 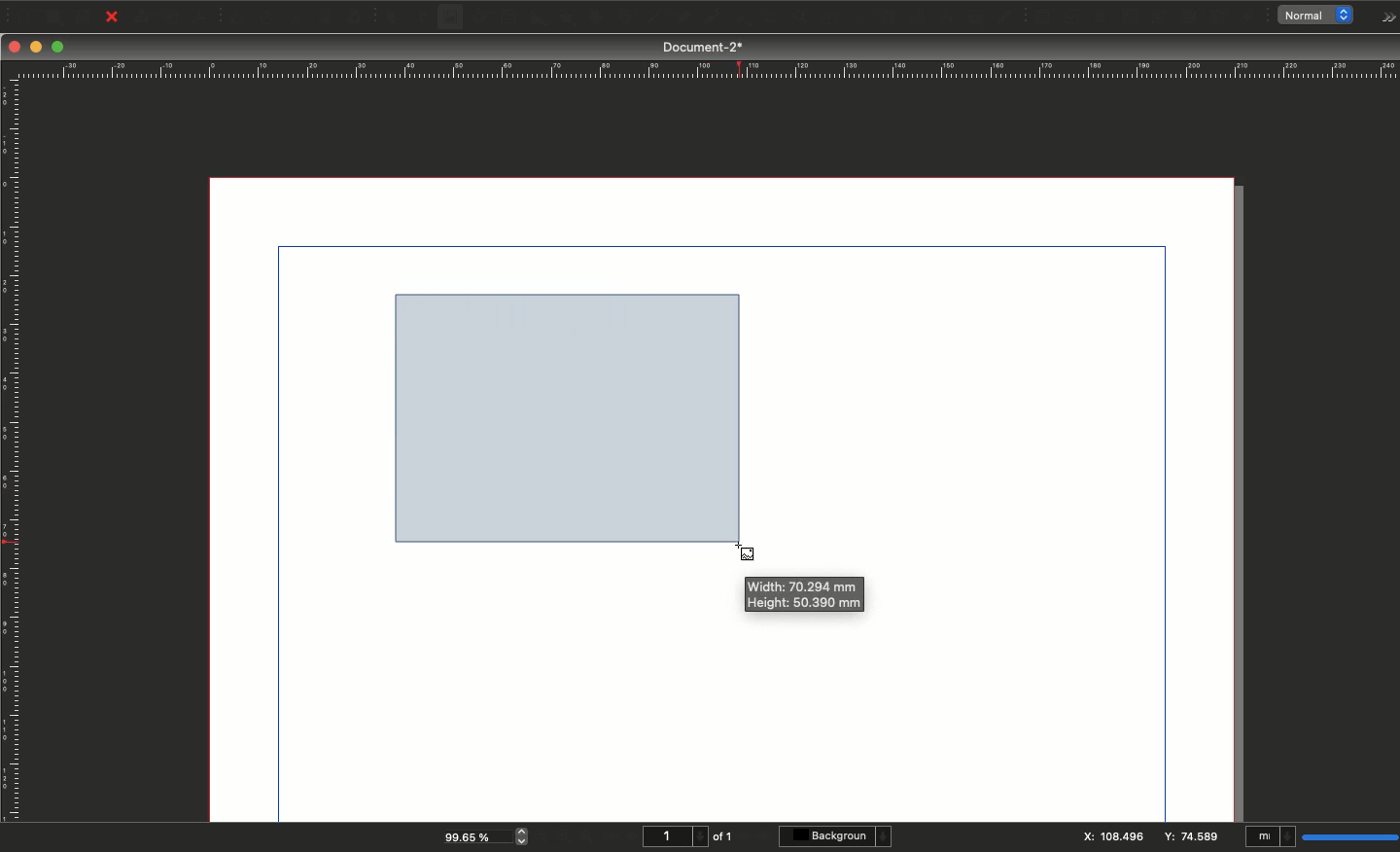 What do you see at coordinates (1004, 18) in the screenshot?
I see `Eye dropper` at bounding box center [1004, 18].